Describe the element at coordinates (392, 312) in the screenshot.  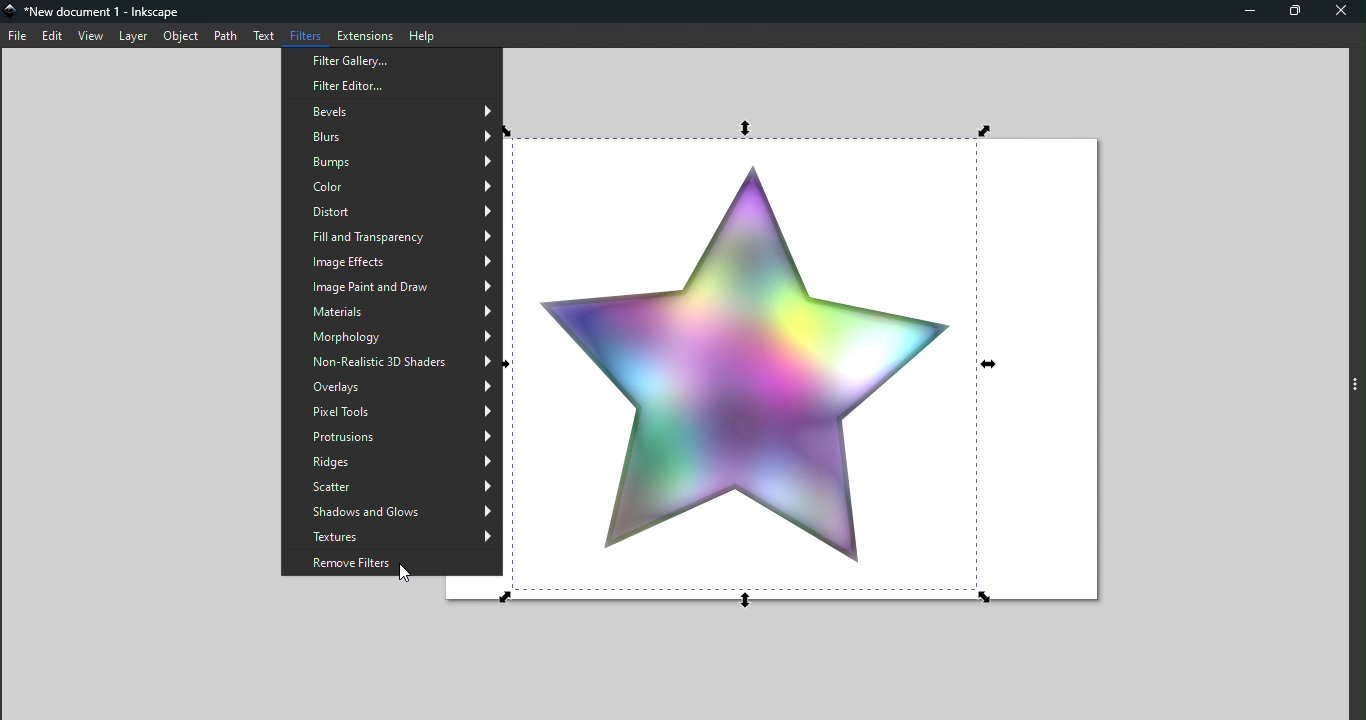
I see `Materials` at that location.